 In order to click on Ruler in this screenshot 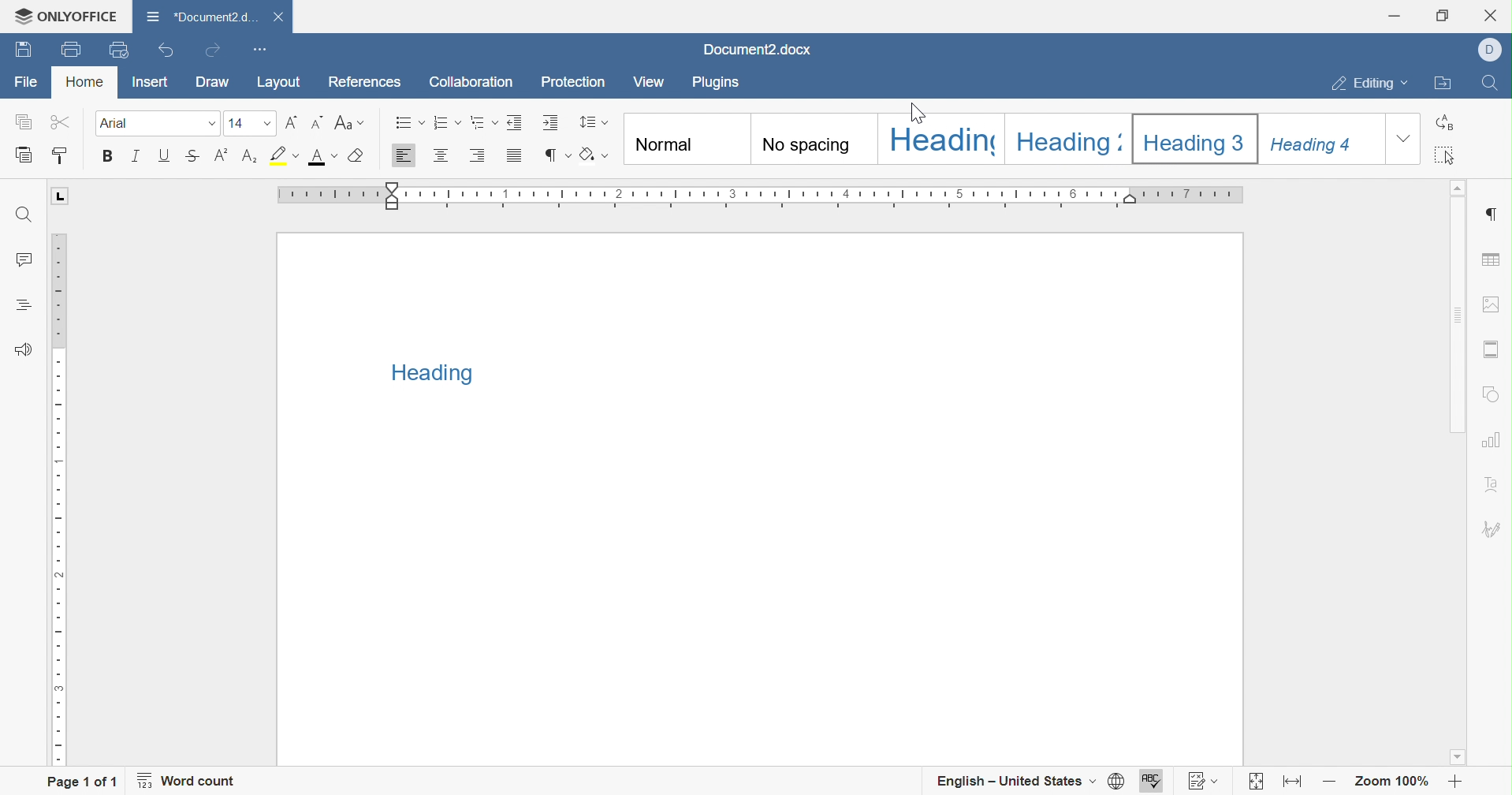, I will do `click(61, 500)`.